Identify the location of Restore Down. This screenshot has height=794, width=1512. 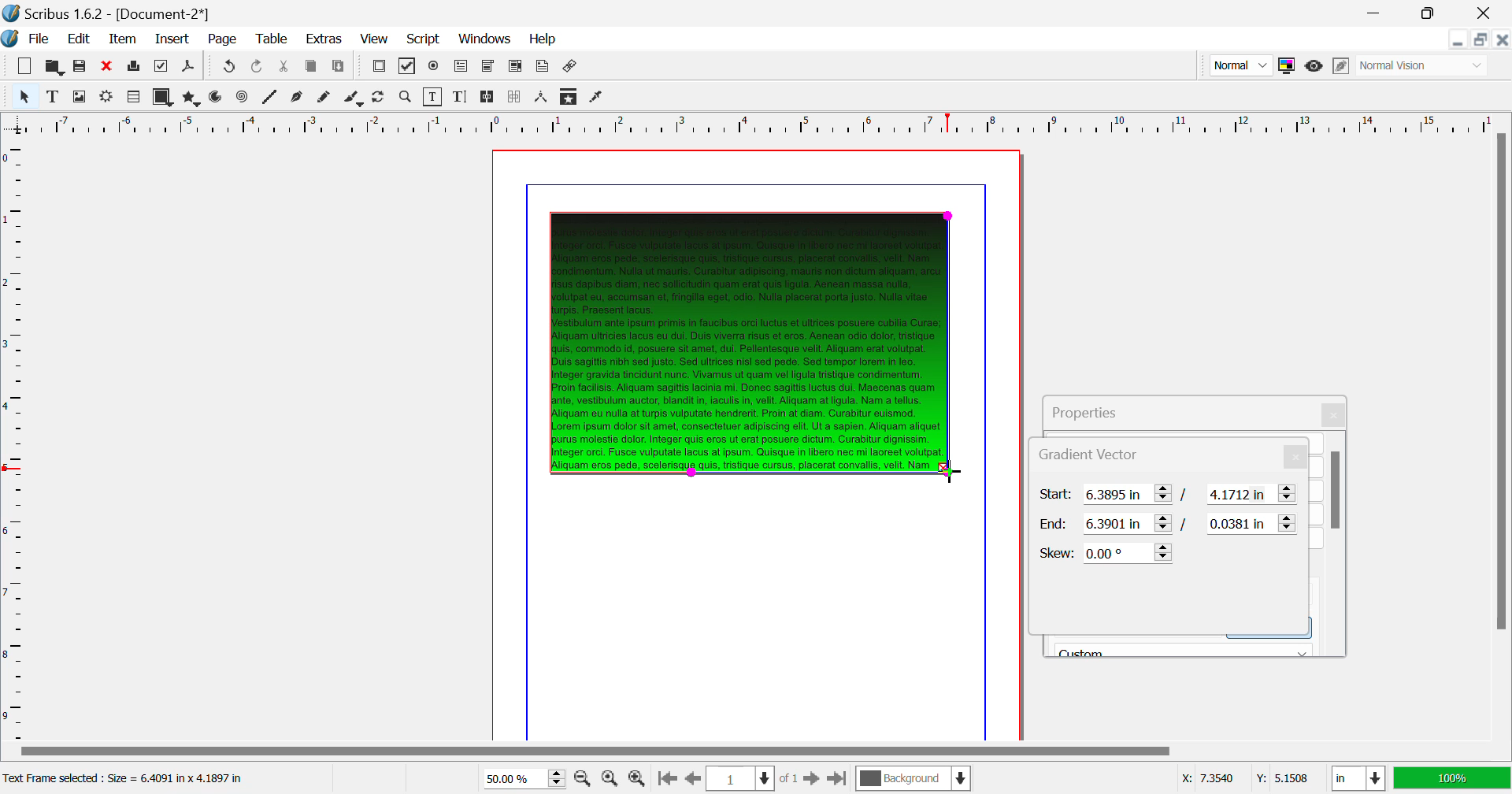
(1459, 39).